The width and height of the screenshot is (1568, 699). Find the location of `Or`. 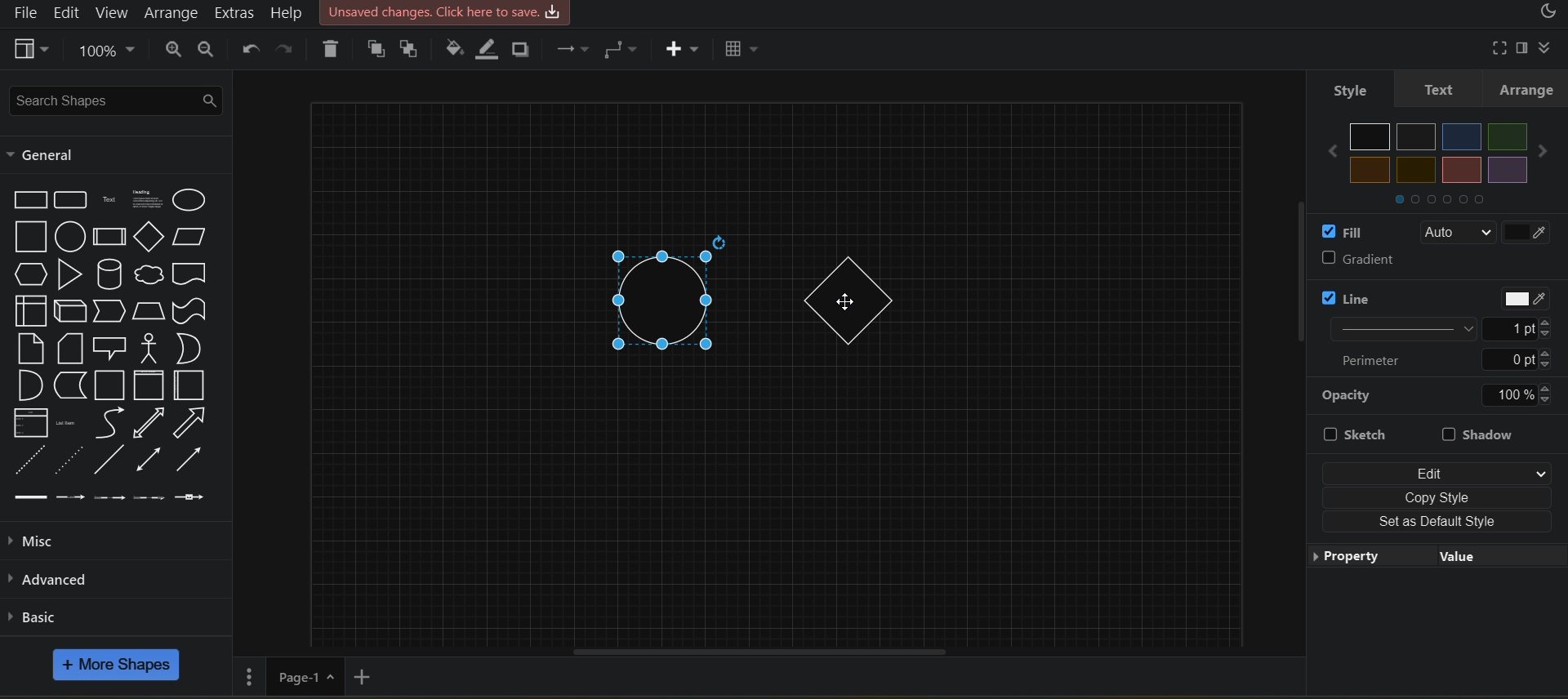

Or is located at coordinates (188, 348).